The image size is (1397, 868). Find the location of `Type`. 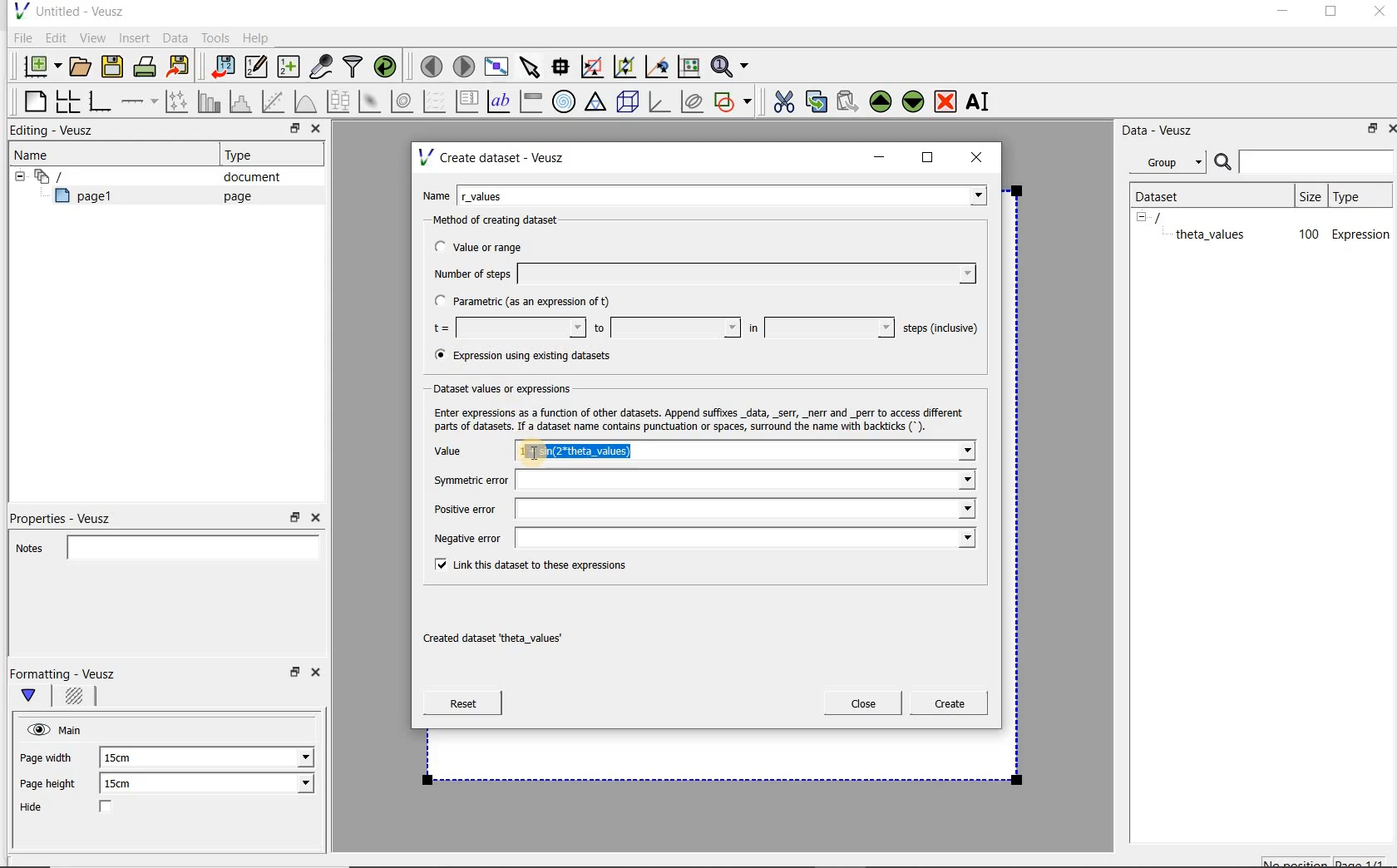

Type is located at coordinates (245, 155).